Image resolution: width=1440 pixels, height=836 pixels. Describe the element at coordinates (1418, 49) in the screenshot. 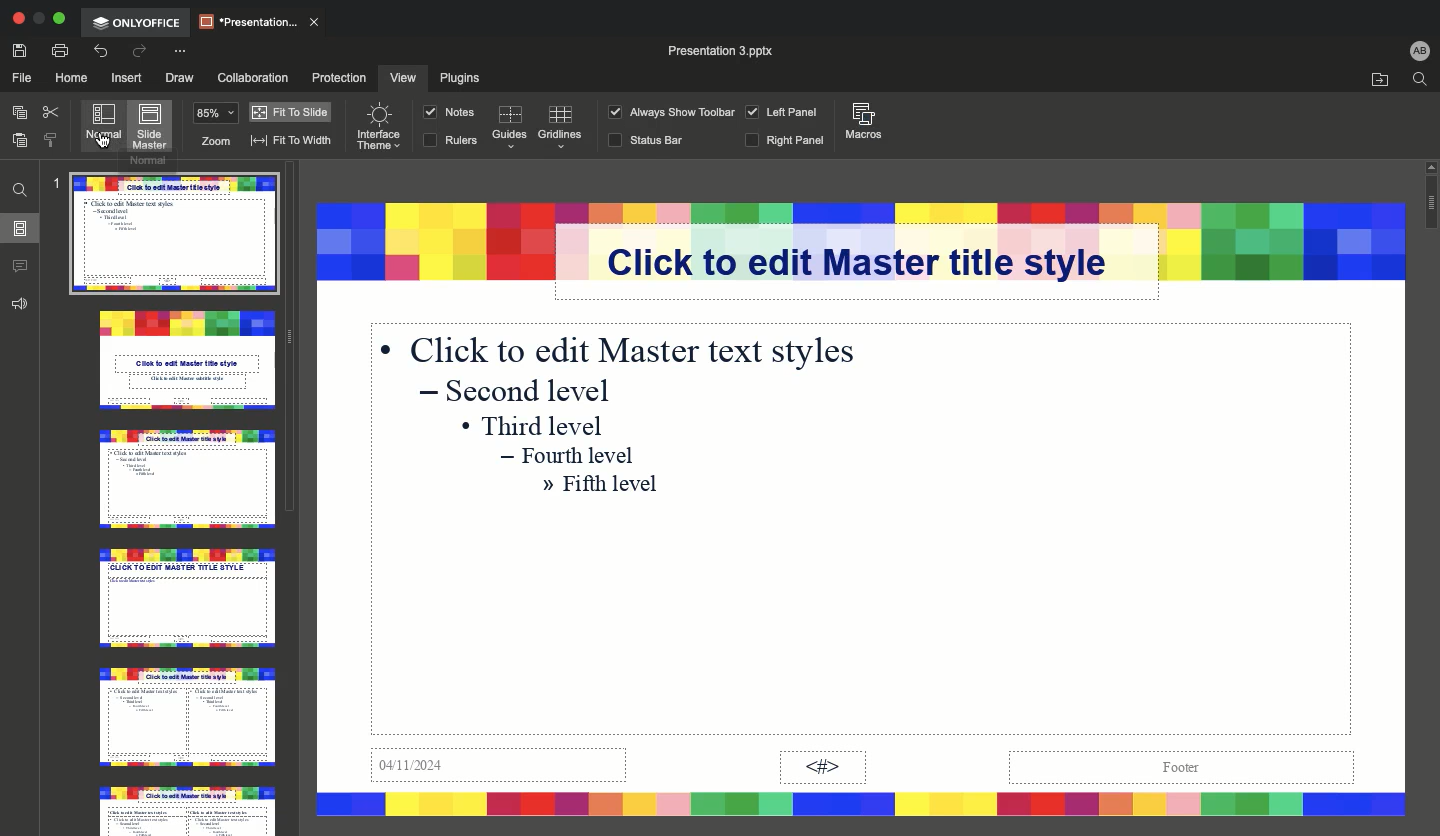

I see `User` at that location.